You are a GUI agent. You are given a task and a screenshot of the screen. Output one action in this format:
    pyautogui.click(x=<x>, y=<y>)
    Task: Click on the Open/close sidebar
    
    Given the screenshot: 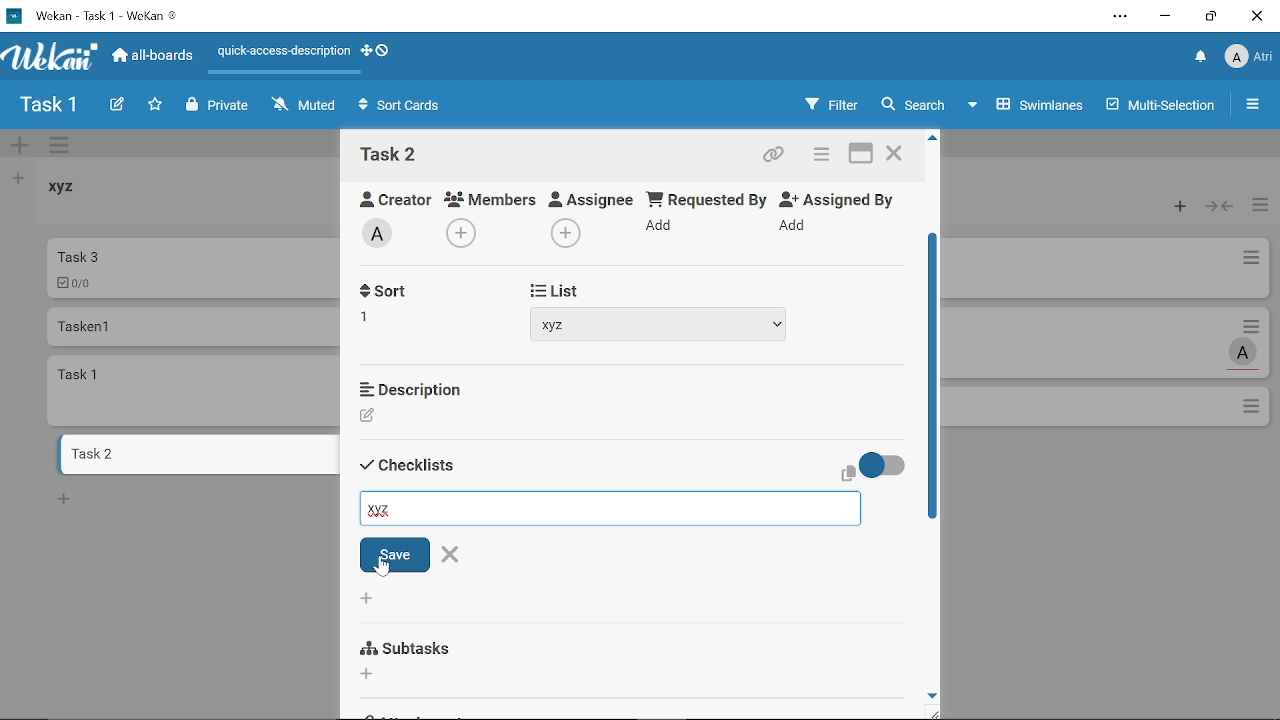 What is the action you would take?
    pyautogui.click(x=1255, y=107)
    